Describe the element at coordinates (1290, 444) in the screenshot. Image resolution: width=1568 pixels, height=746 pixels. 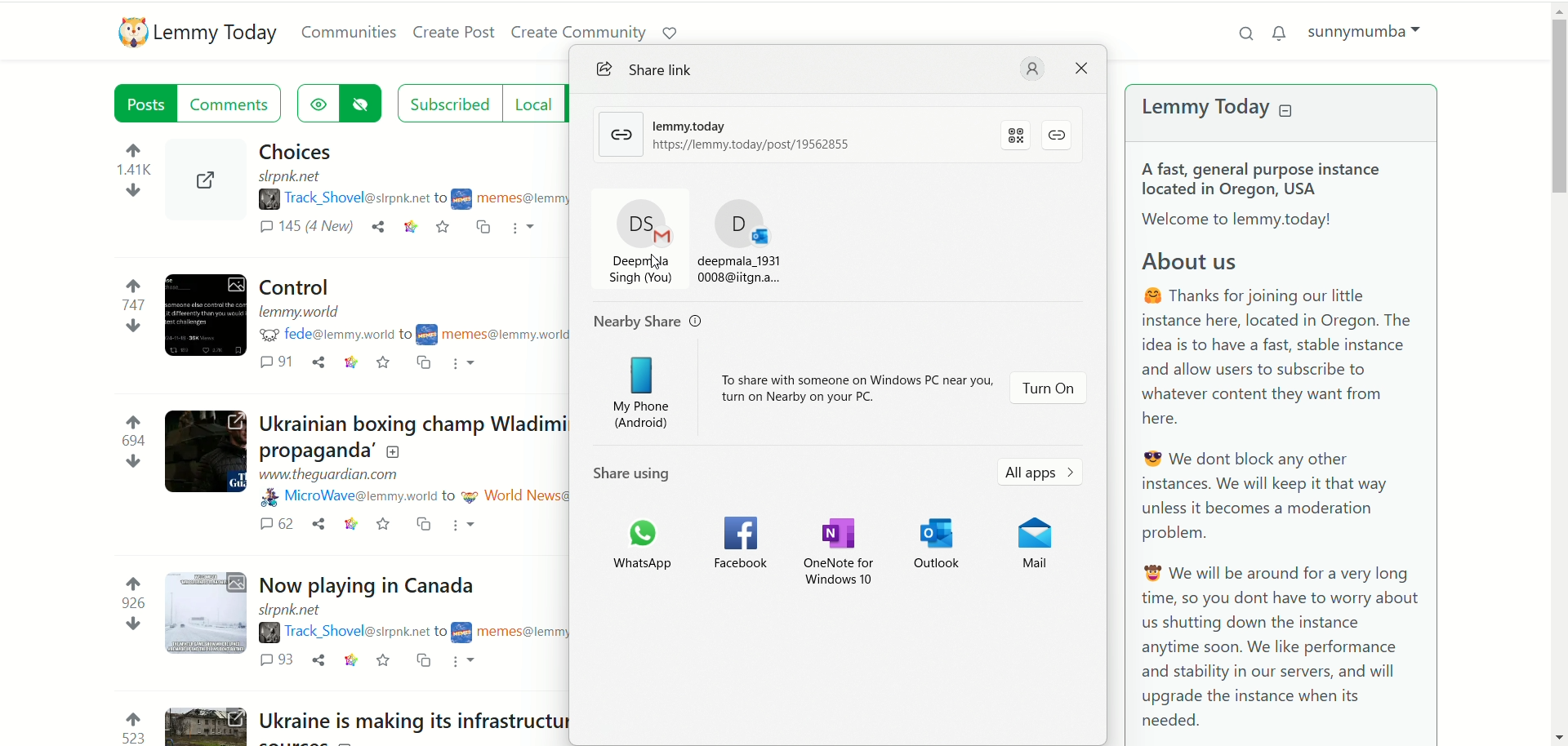
I see `A brief text about Lemmy Today` at that location.